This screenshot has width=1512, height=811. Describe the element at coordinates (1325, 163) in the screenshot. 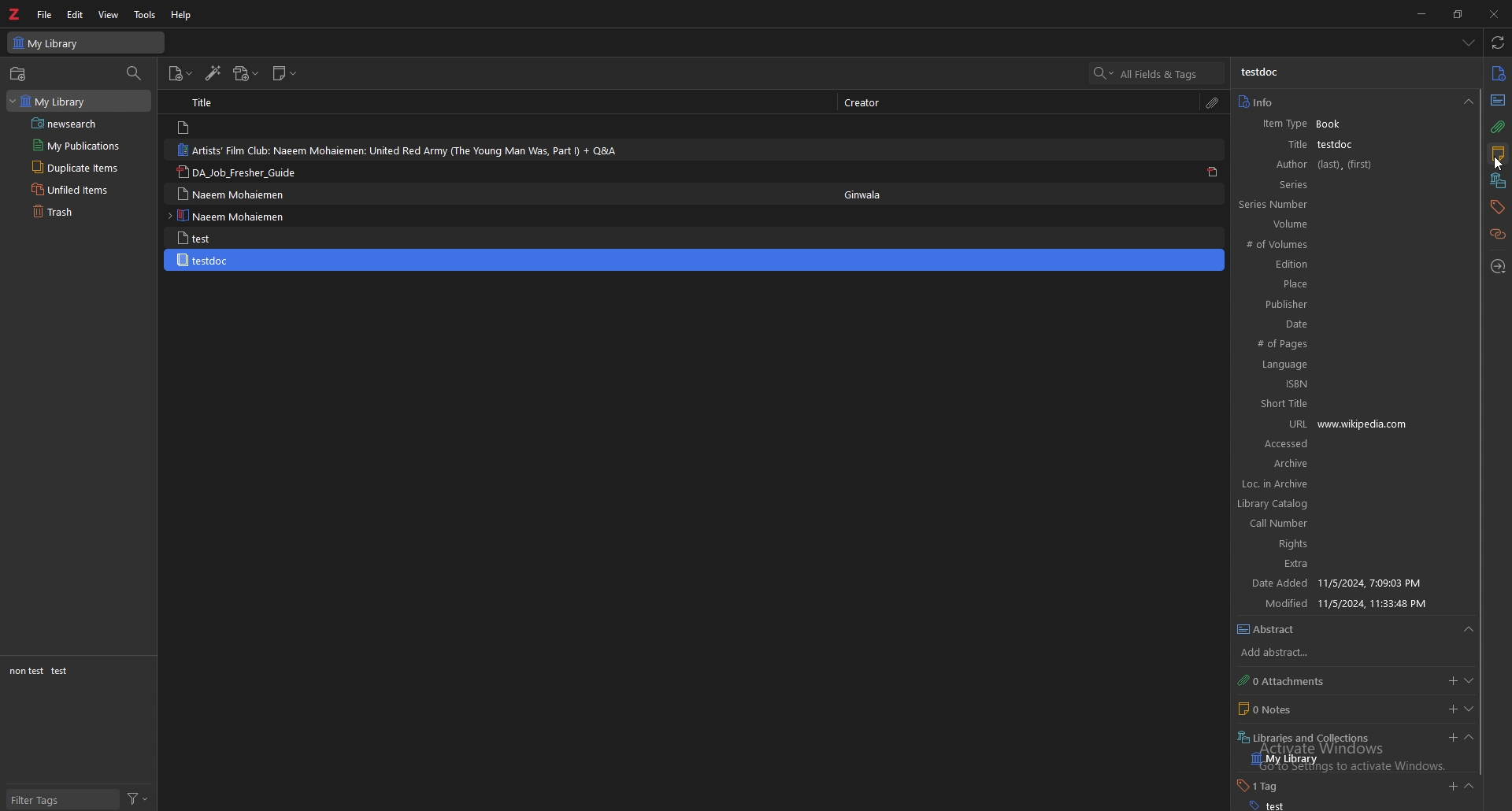

I see `author    (last), (first)` at that location.